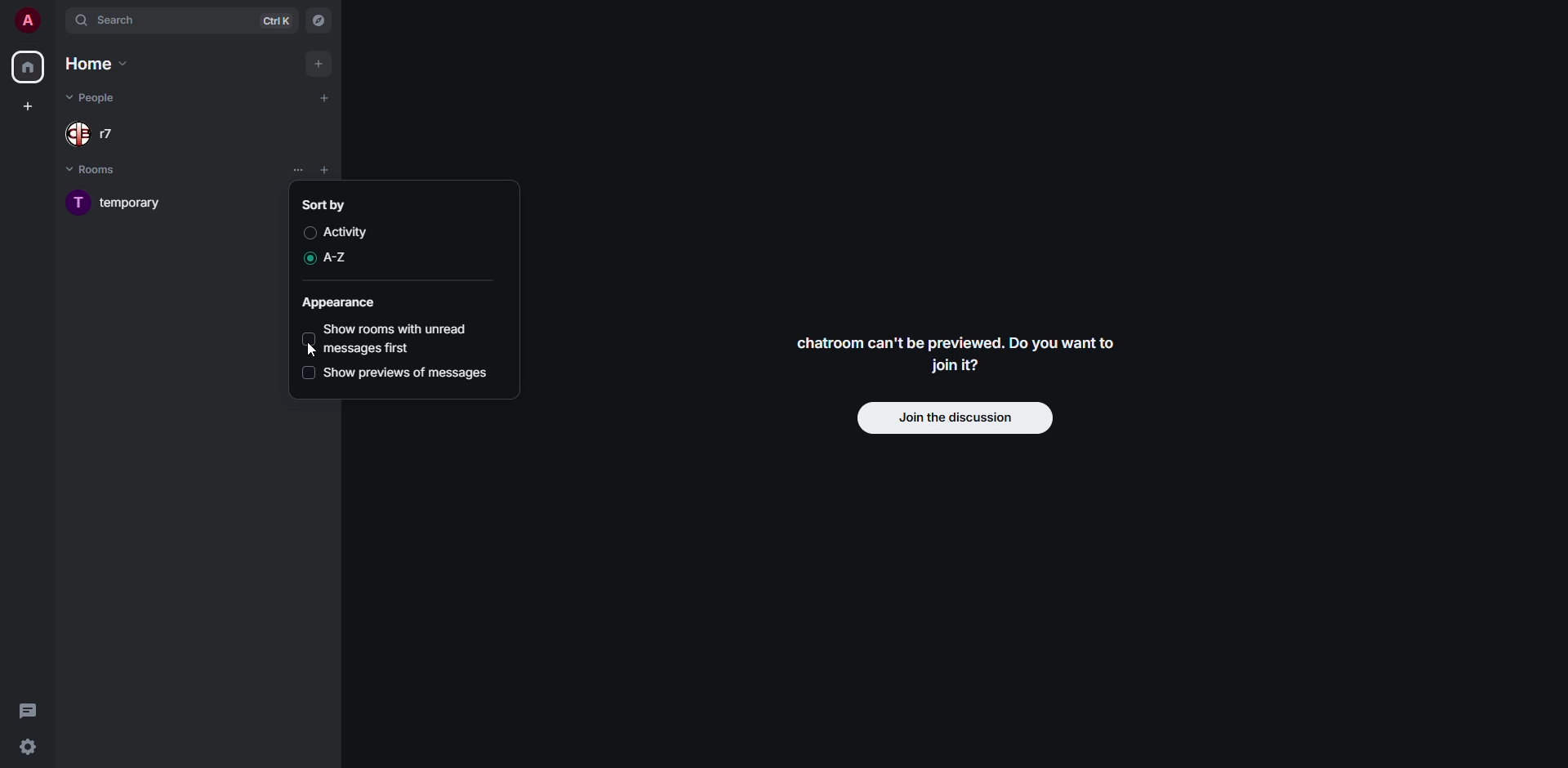  Describe the element at coordinates (31, 106) in the screenshot. I see `create space` at that location.